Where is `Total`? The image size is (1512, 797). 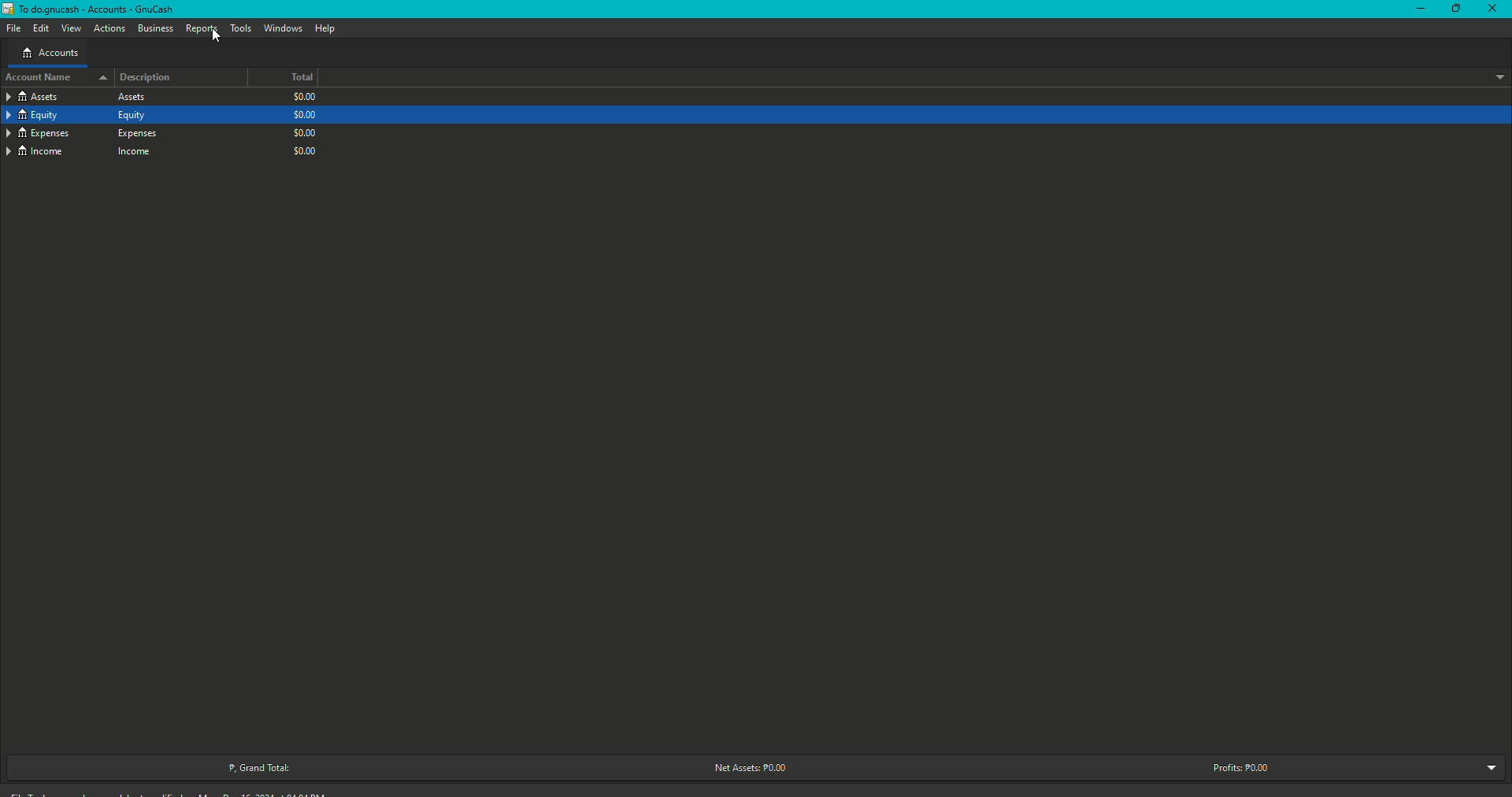
Total is located at coordinates (295, 77).